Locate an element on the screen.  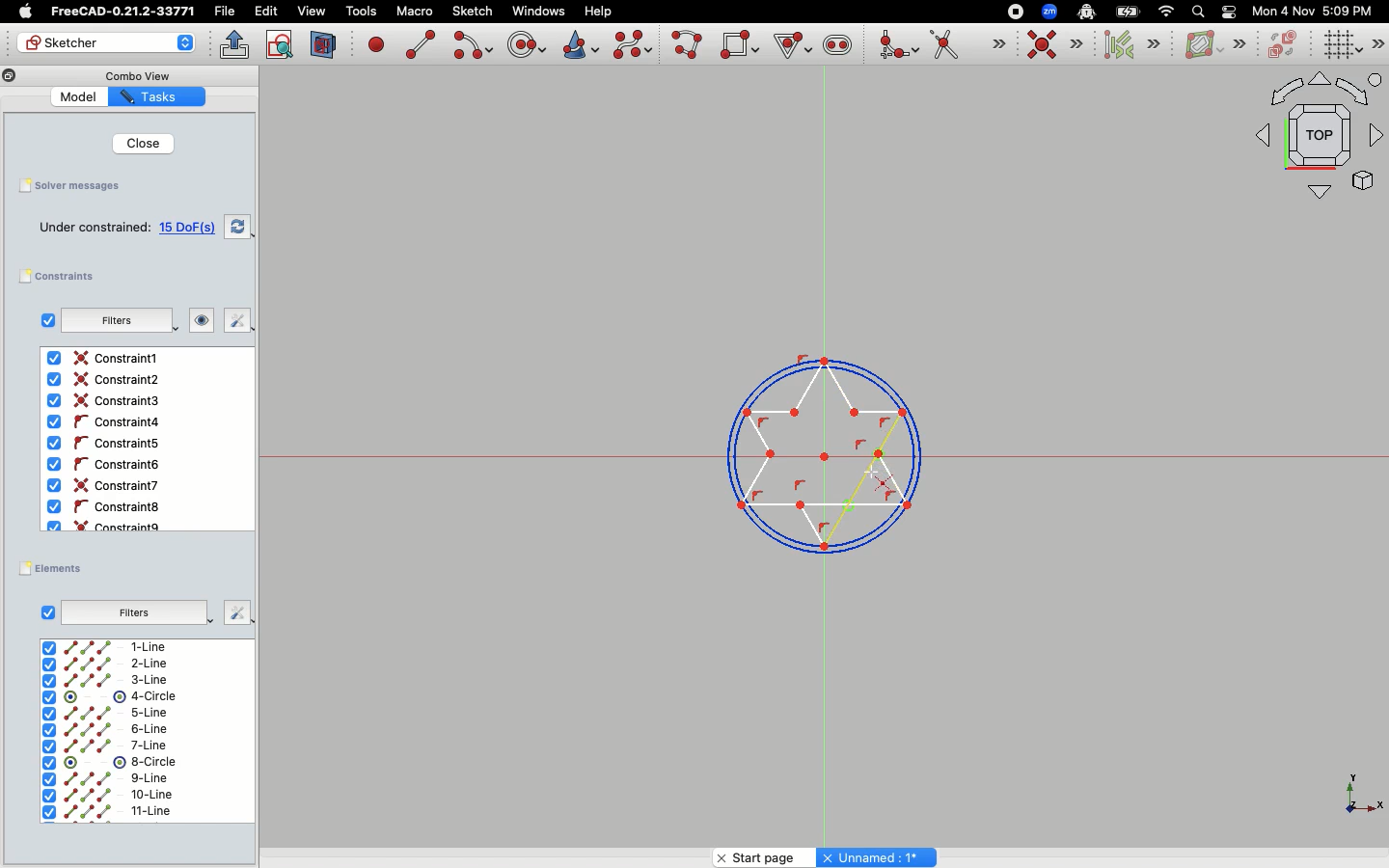
Create arc is located at coordinates (472, 45).